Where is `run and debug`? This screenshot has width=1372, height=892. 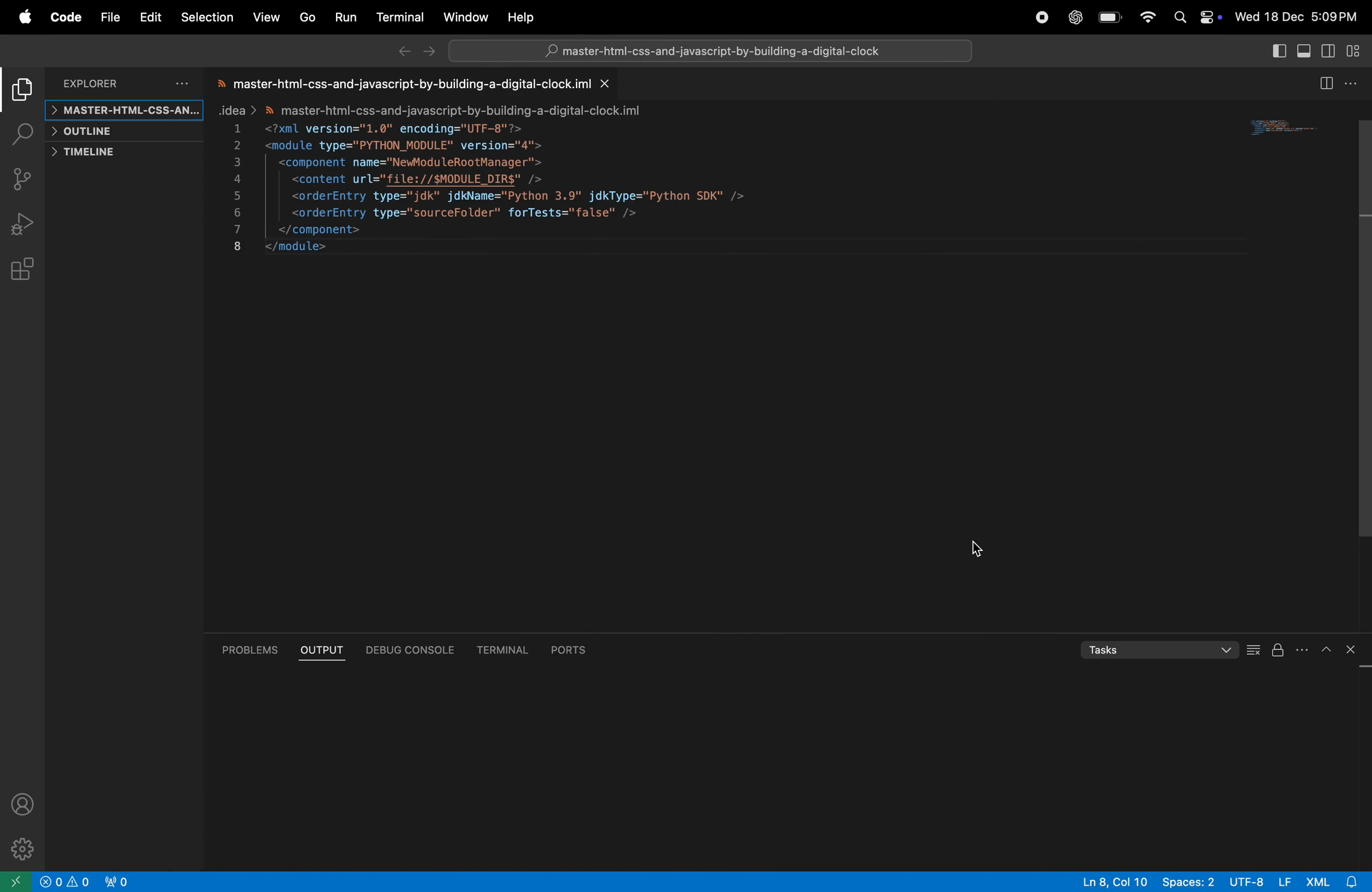
run and debug is located at coordinates (24, 224).